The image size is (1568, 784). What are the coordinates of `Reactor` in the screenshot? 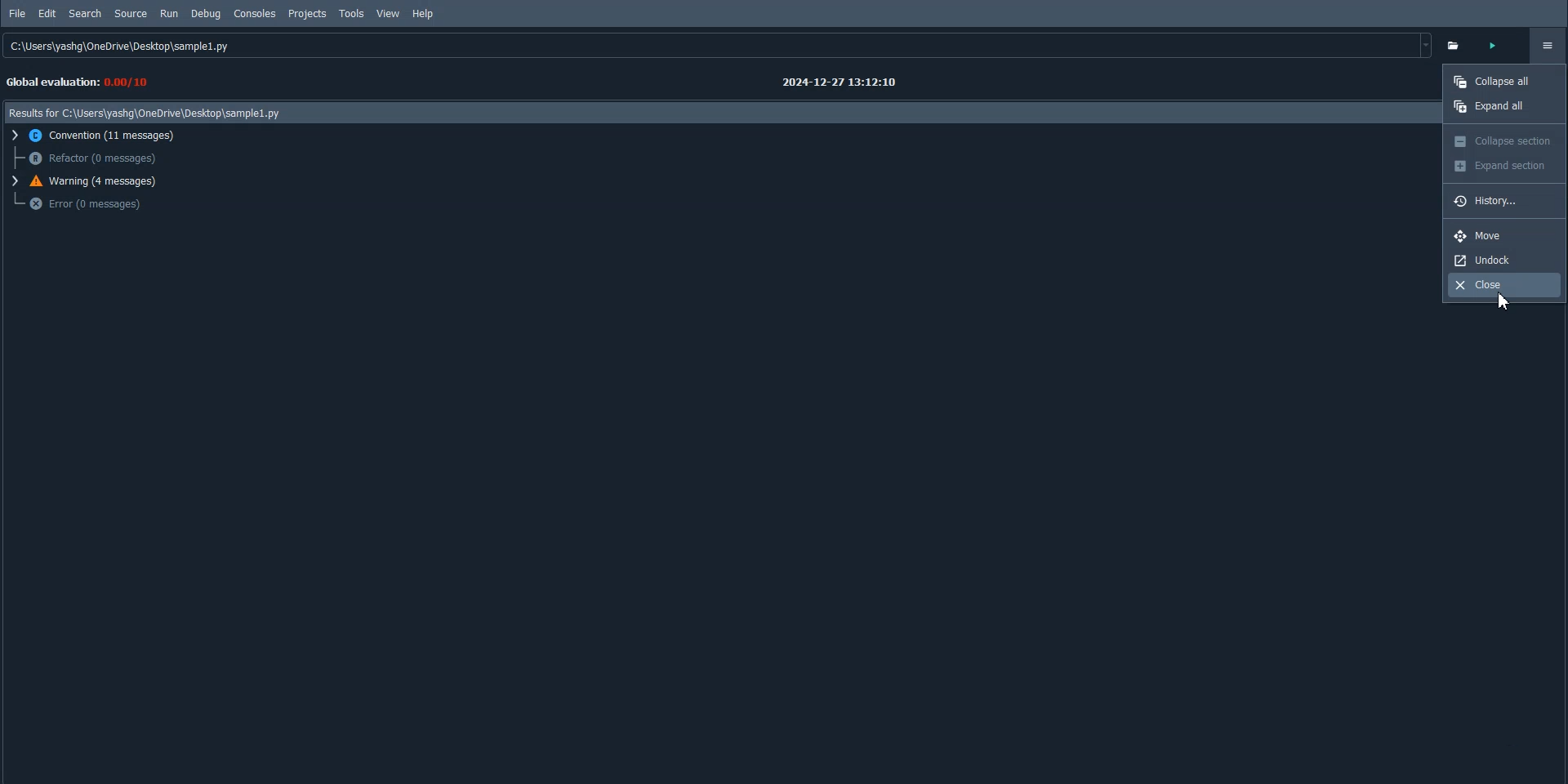 It's located at (91, 158).